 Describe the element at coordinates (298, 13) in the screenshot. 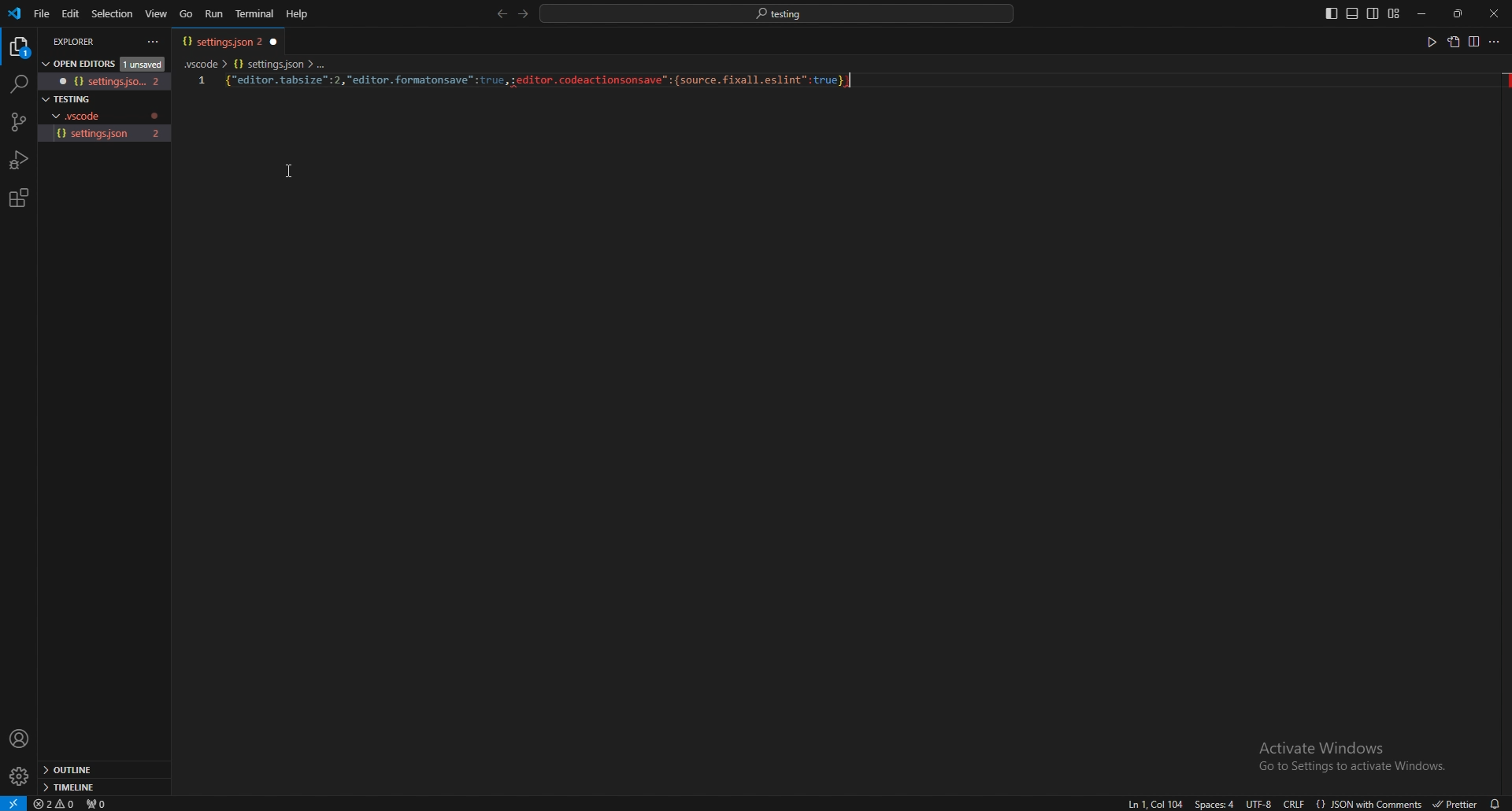

I see `help` at that location.